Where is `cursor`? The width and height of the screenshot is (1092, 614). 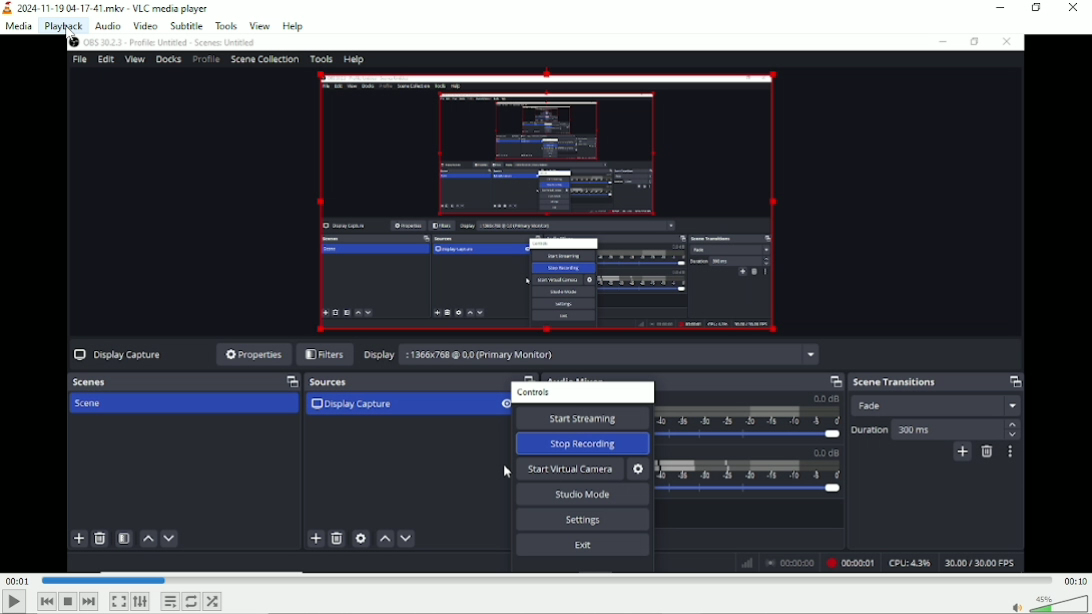
cursor is located at coordinates (73, 35).